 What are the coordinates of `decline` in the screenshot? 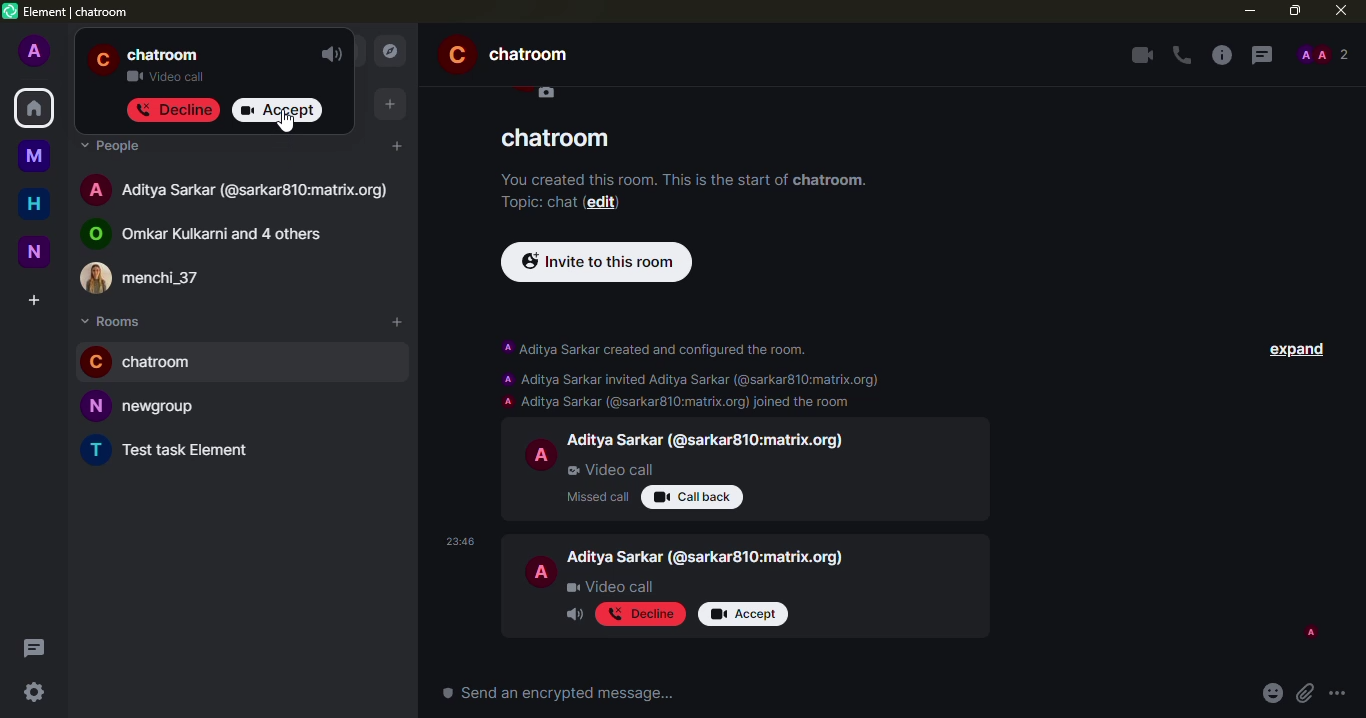 It's located at (173, 109).